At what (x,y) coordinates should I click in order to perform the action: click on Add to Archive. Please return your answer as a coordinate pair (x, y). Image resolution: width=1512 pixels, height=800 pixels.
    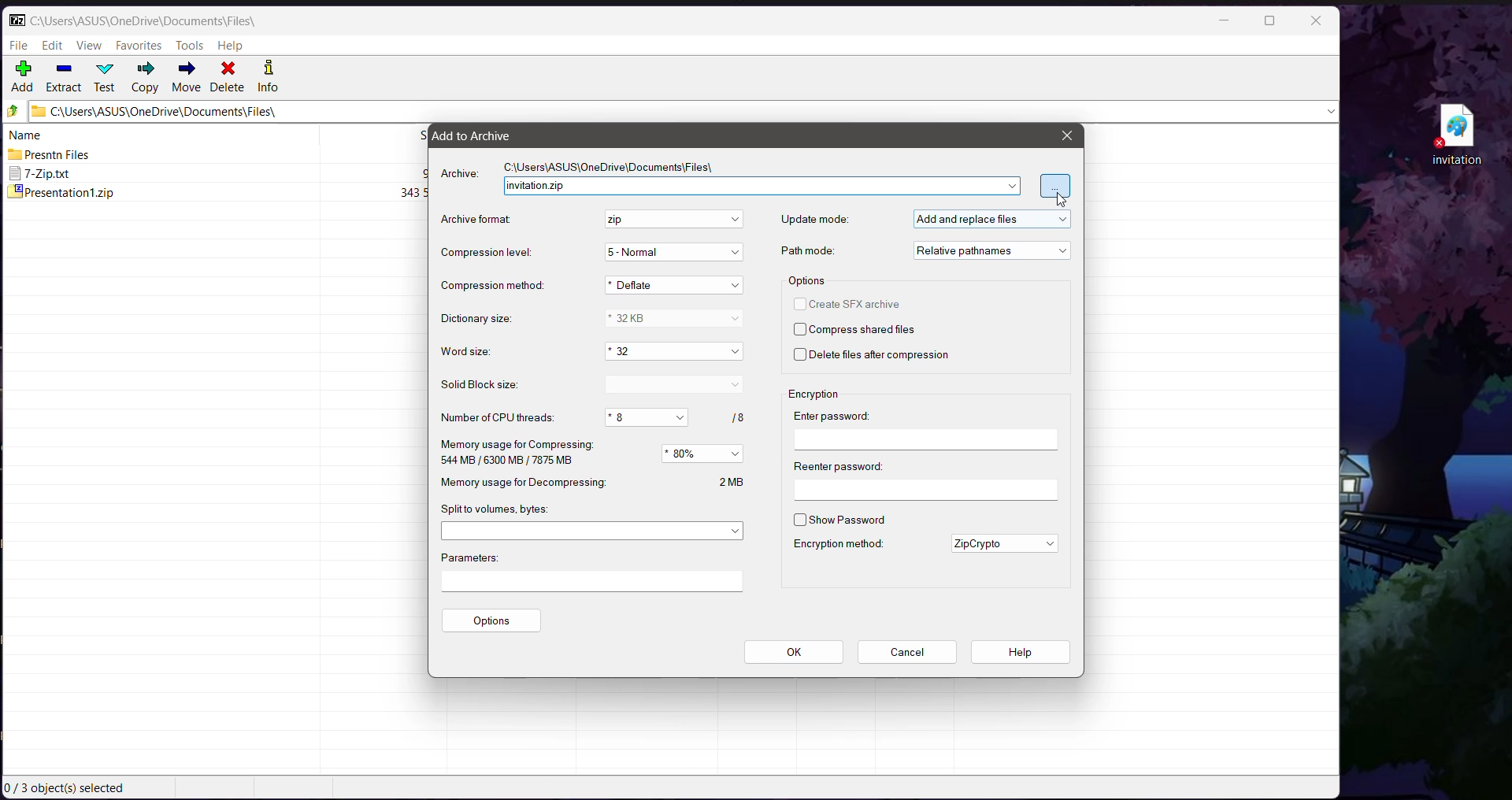
    Looking at the image, I should click on (483, 135).